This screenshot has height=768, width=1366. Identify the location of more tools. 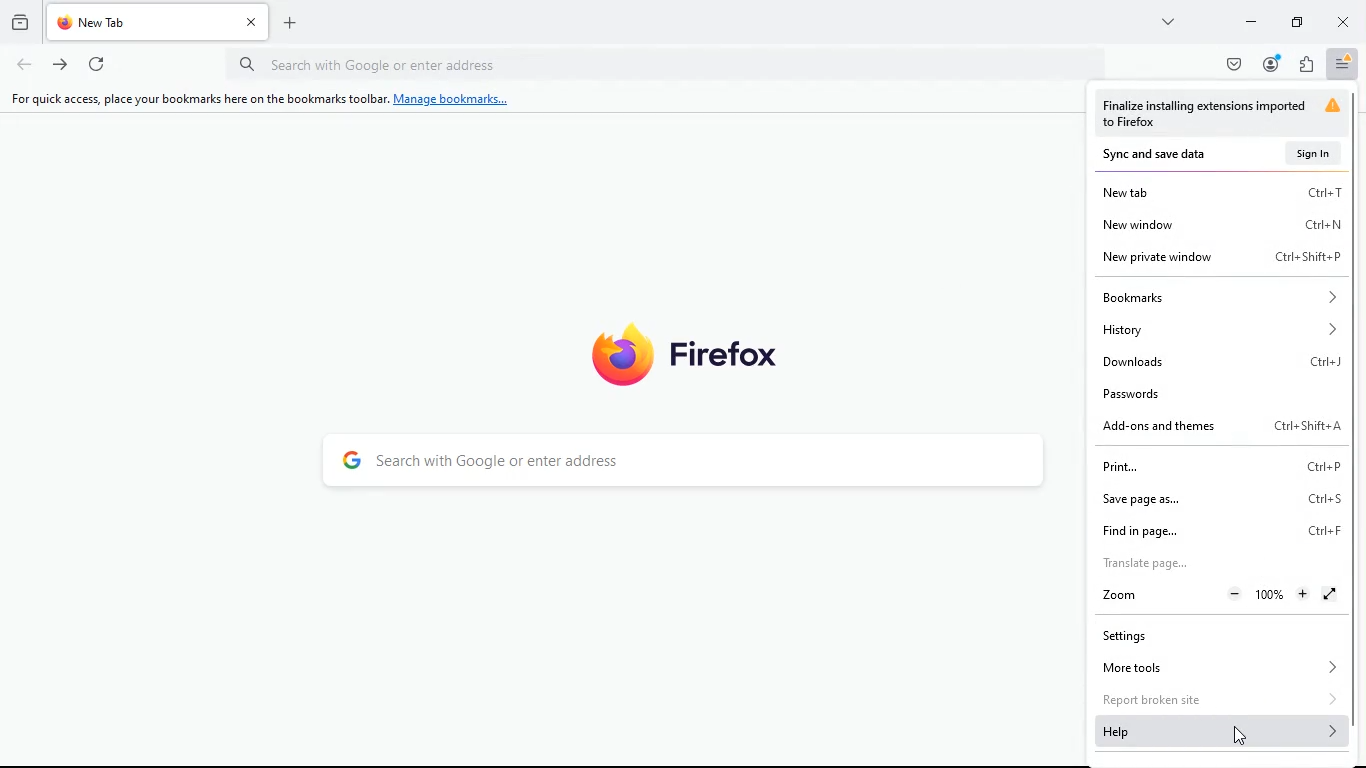
(1226, 667).